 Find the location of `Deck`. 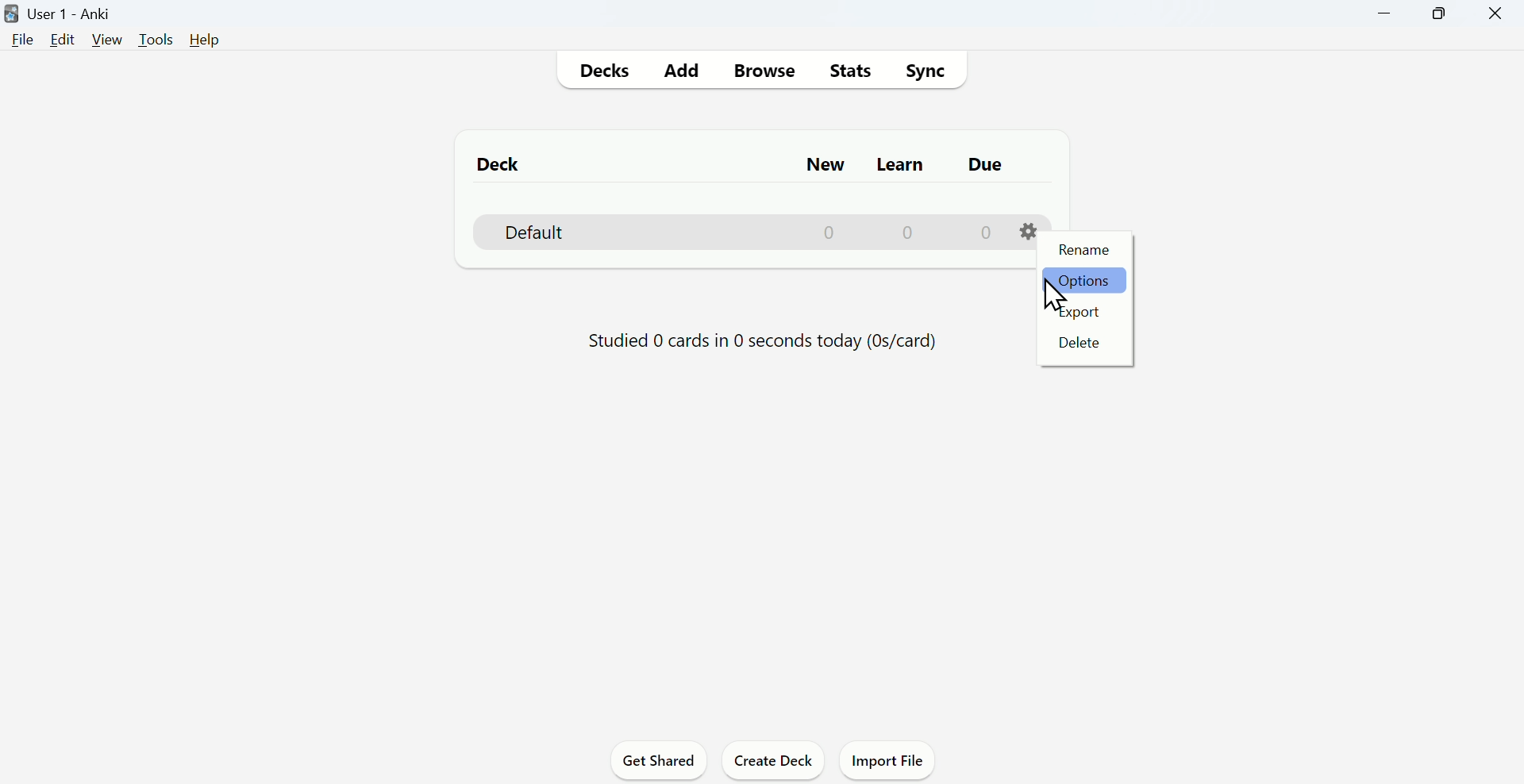

Deck is located at coordinates (753, 231).